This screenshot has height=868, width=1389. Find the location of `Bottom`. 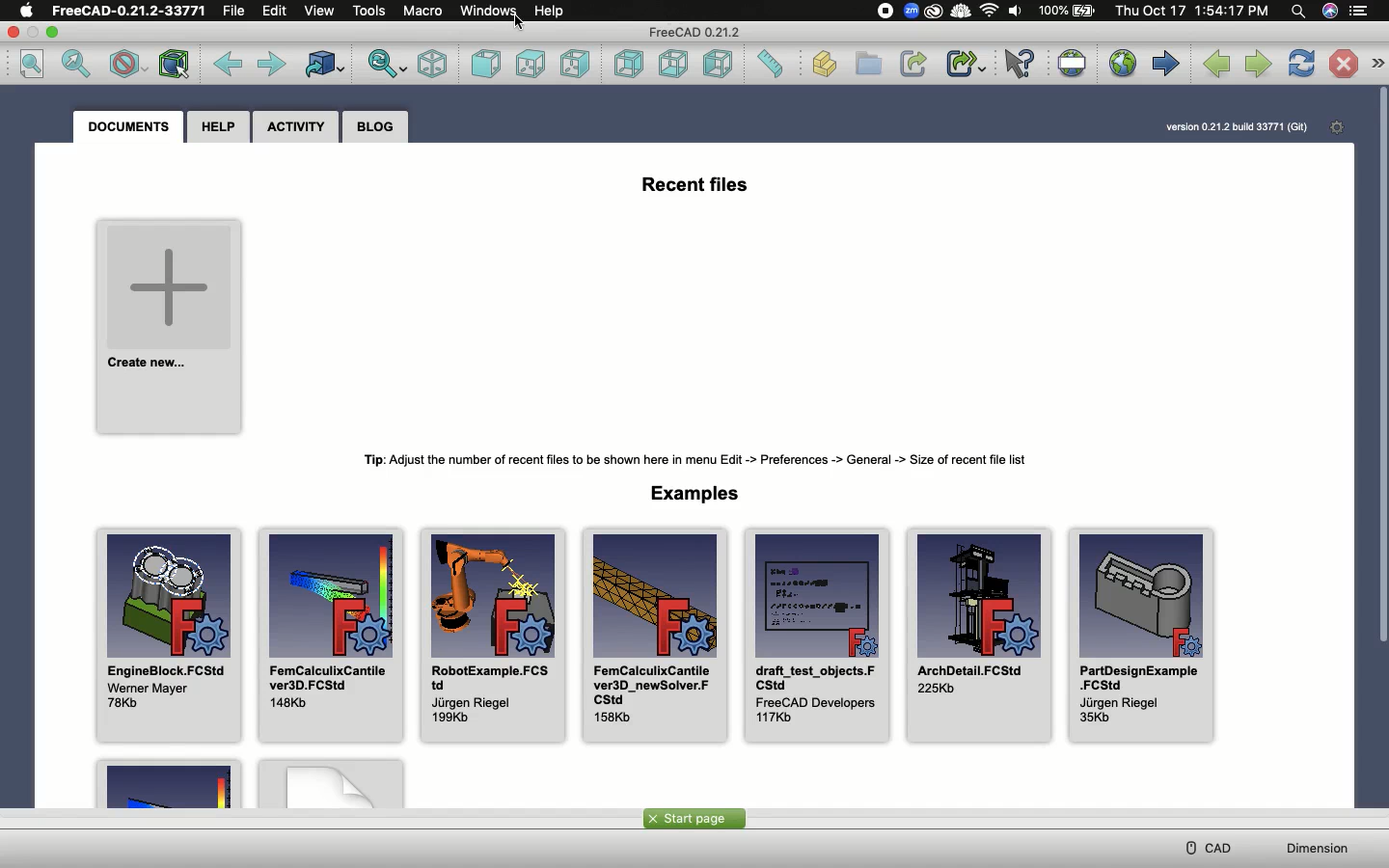

Bottom is located at coordinates (675, 65).